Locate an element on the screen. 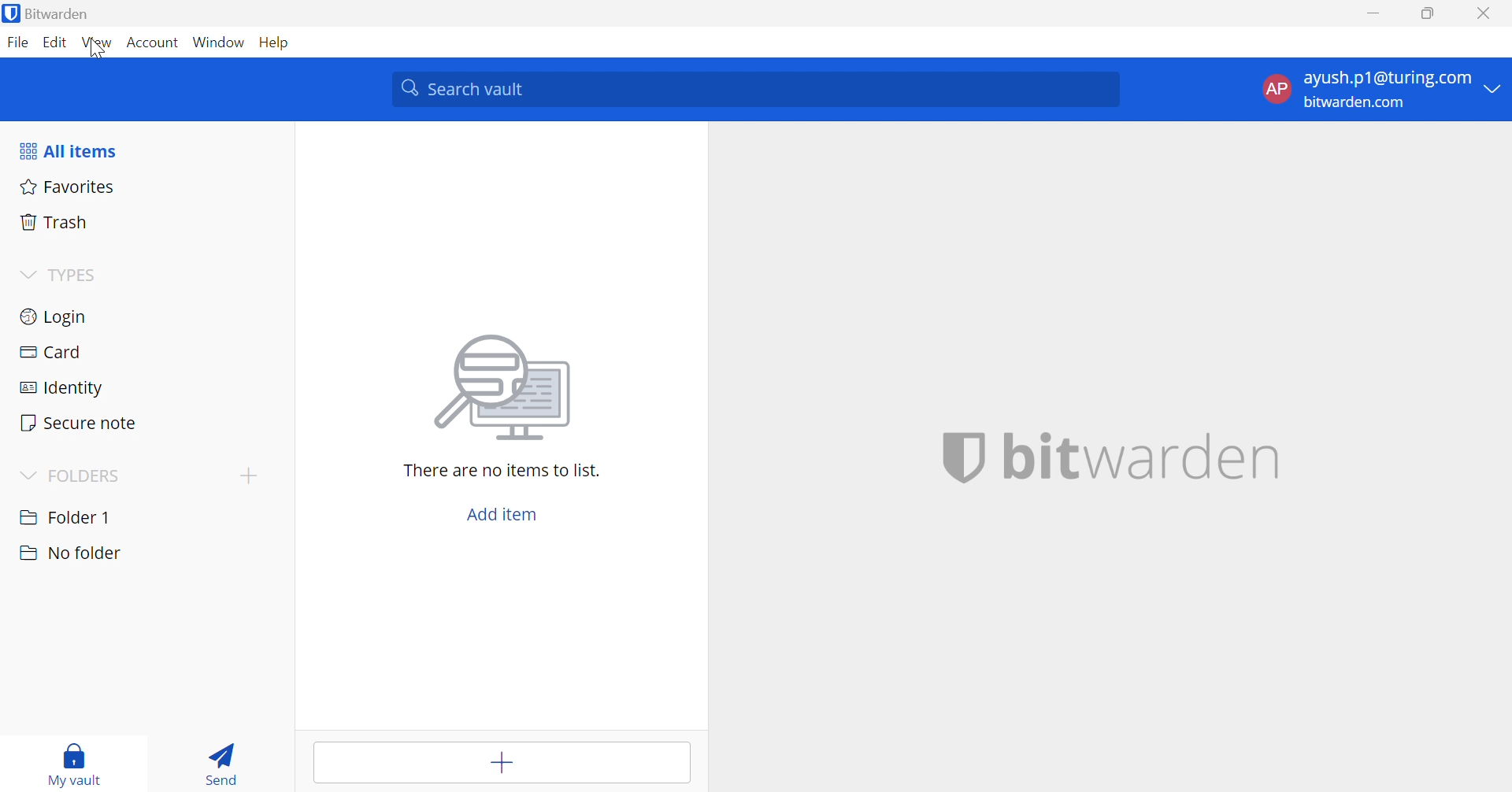  File is located at coordinates (17, 43).